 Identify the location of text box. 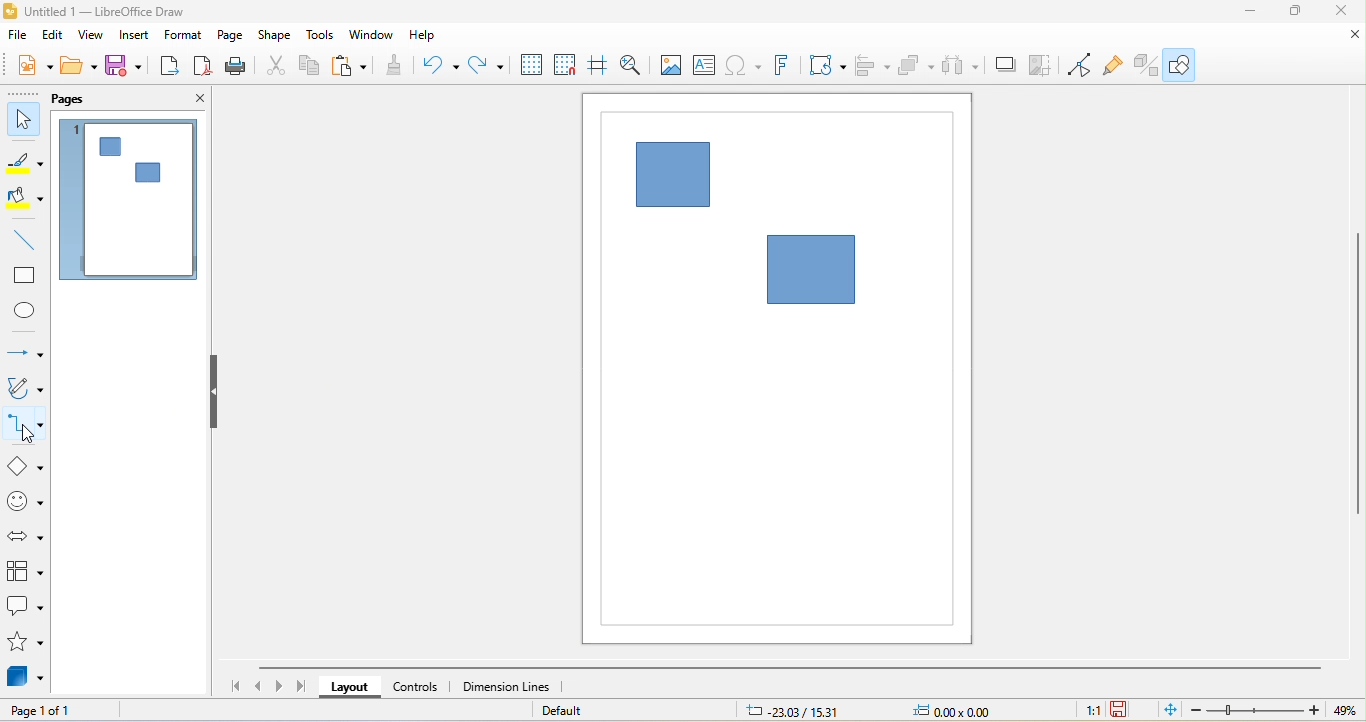
(704, 65).